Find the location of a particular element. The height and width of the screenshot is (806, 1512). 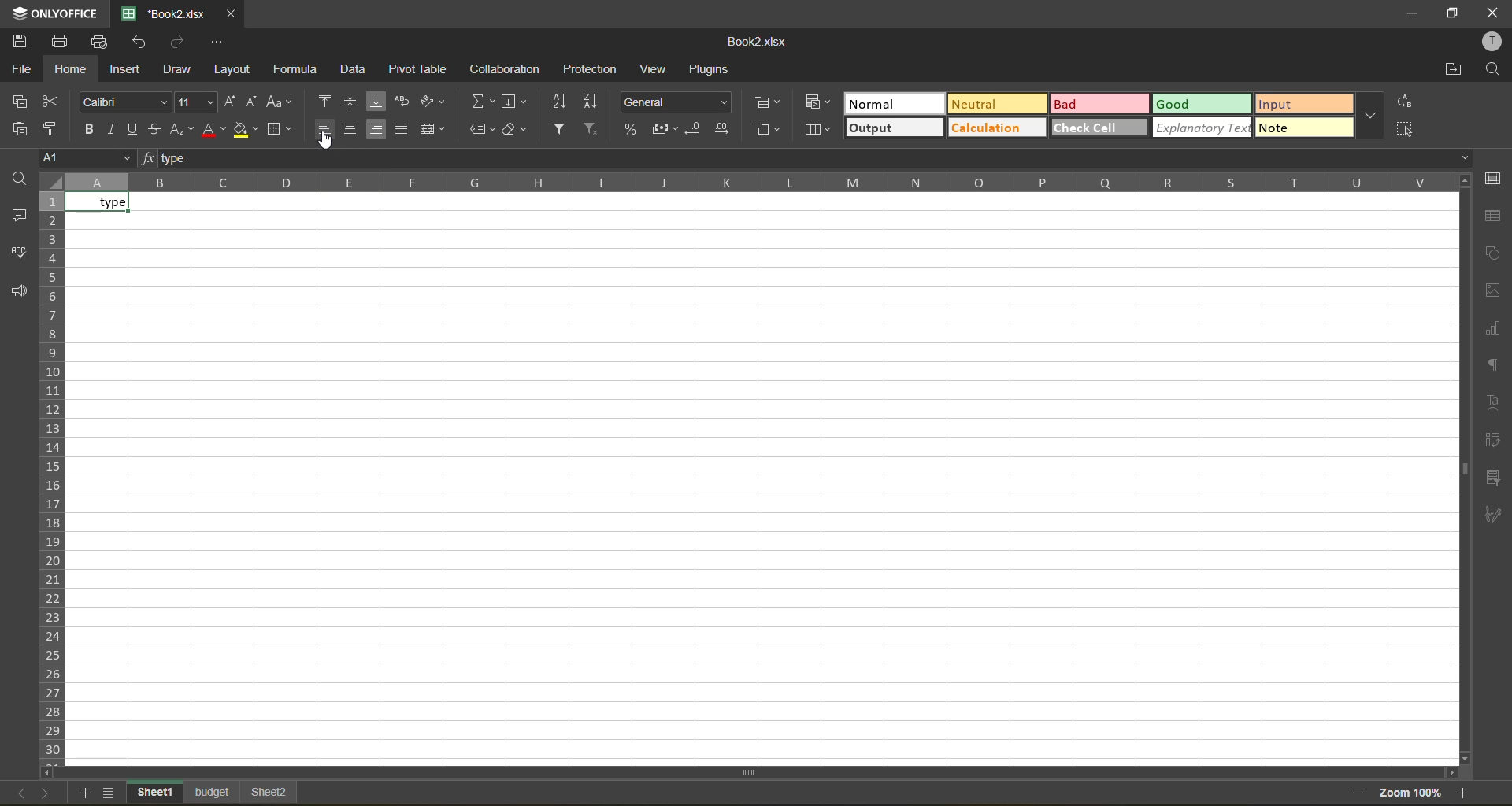

font style is located at coordinates (126, 102).